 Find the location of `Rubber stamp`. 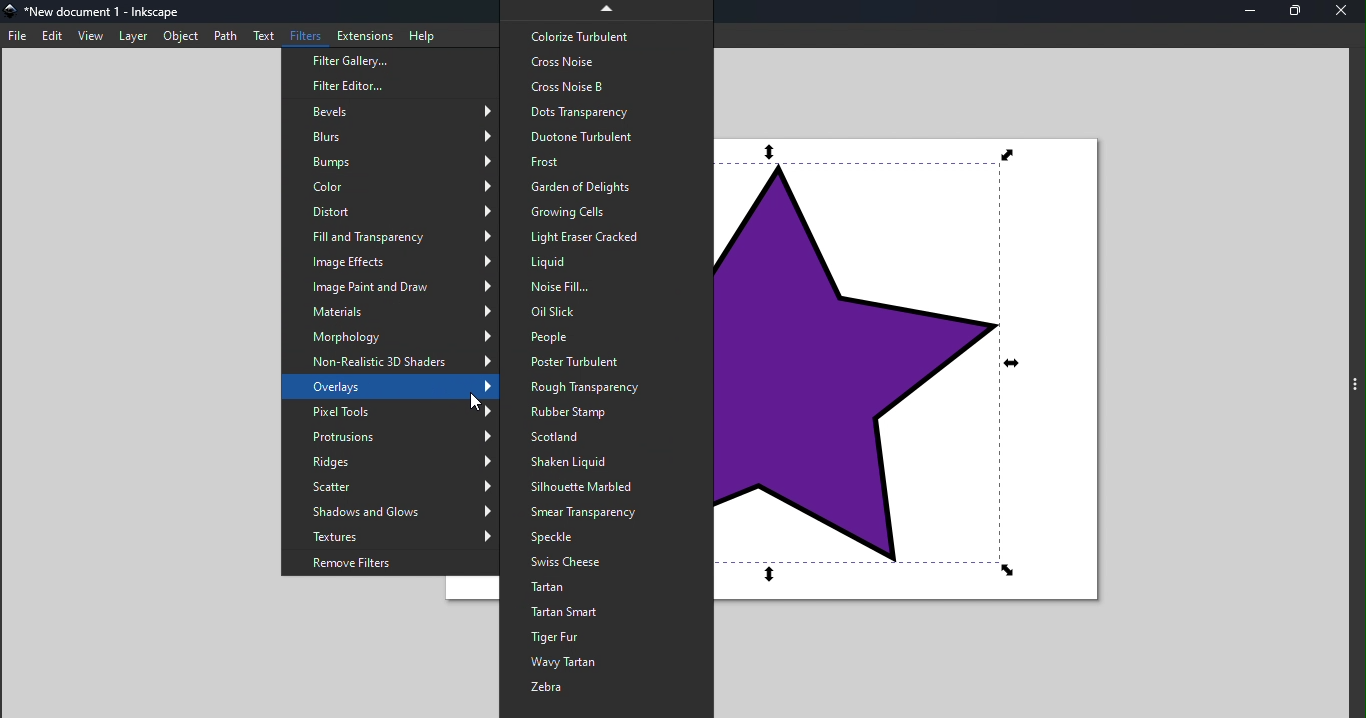

Rubber stamp is located at coordinates (607, 413).